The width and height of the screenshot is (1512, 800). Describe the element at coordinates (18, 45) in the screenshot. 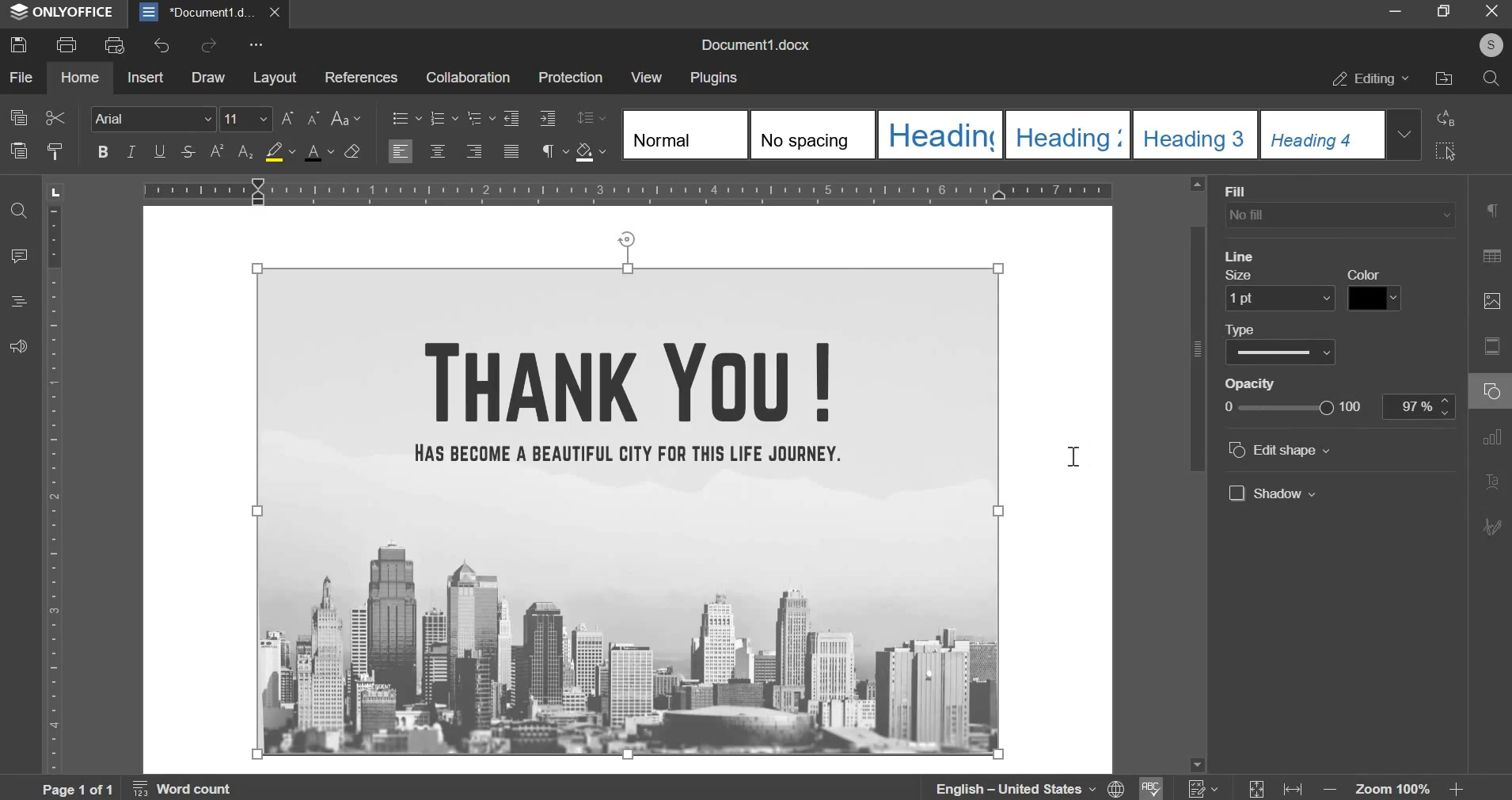

I see `save` at that location.